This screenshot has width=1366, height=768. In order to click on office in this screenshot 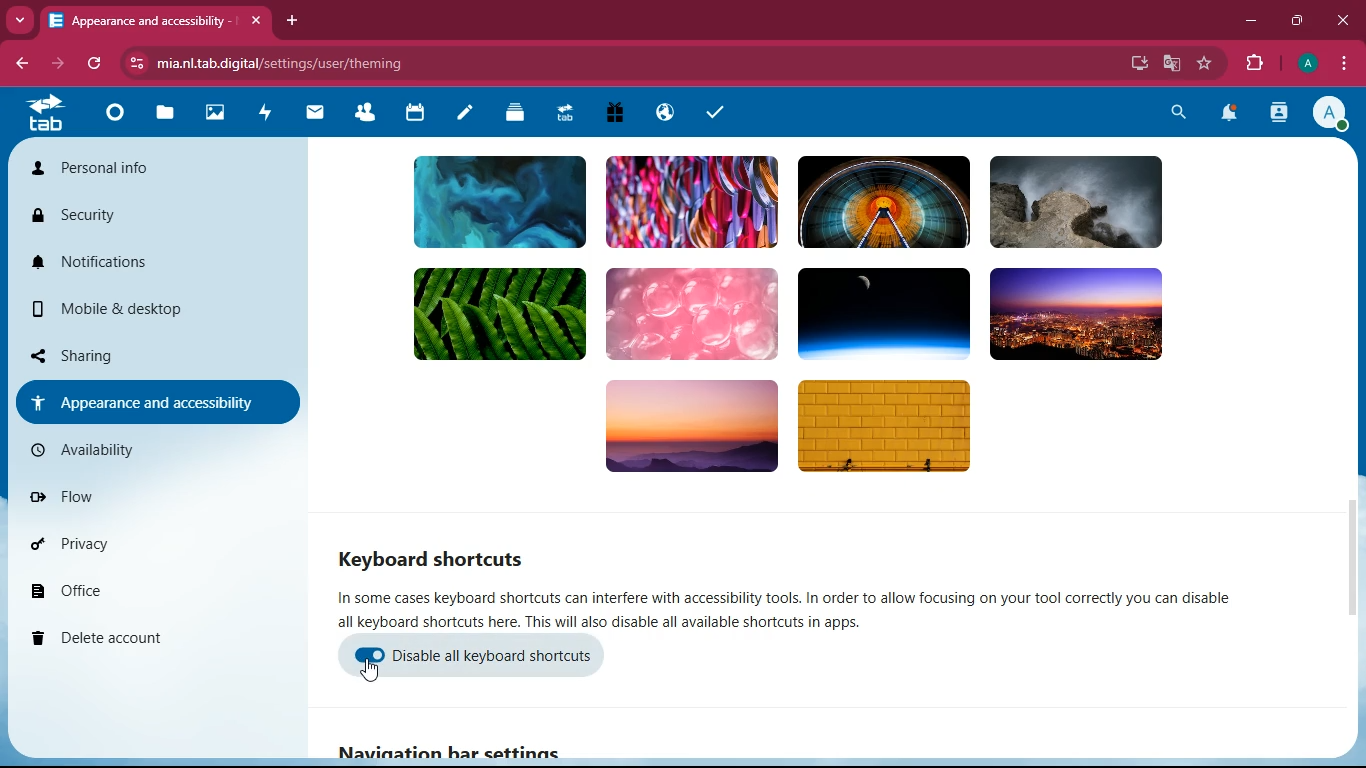, I will do `click(167, 593)`.